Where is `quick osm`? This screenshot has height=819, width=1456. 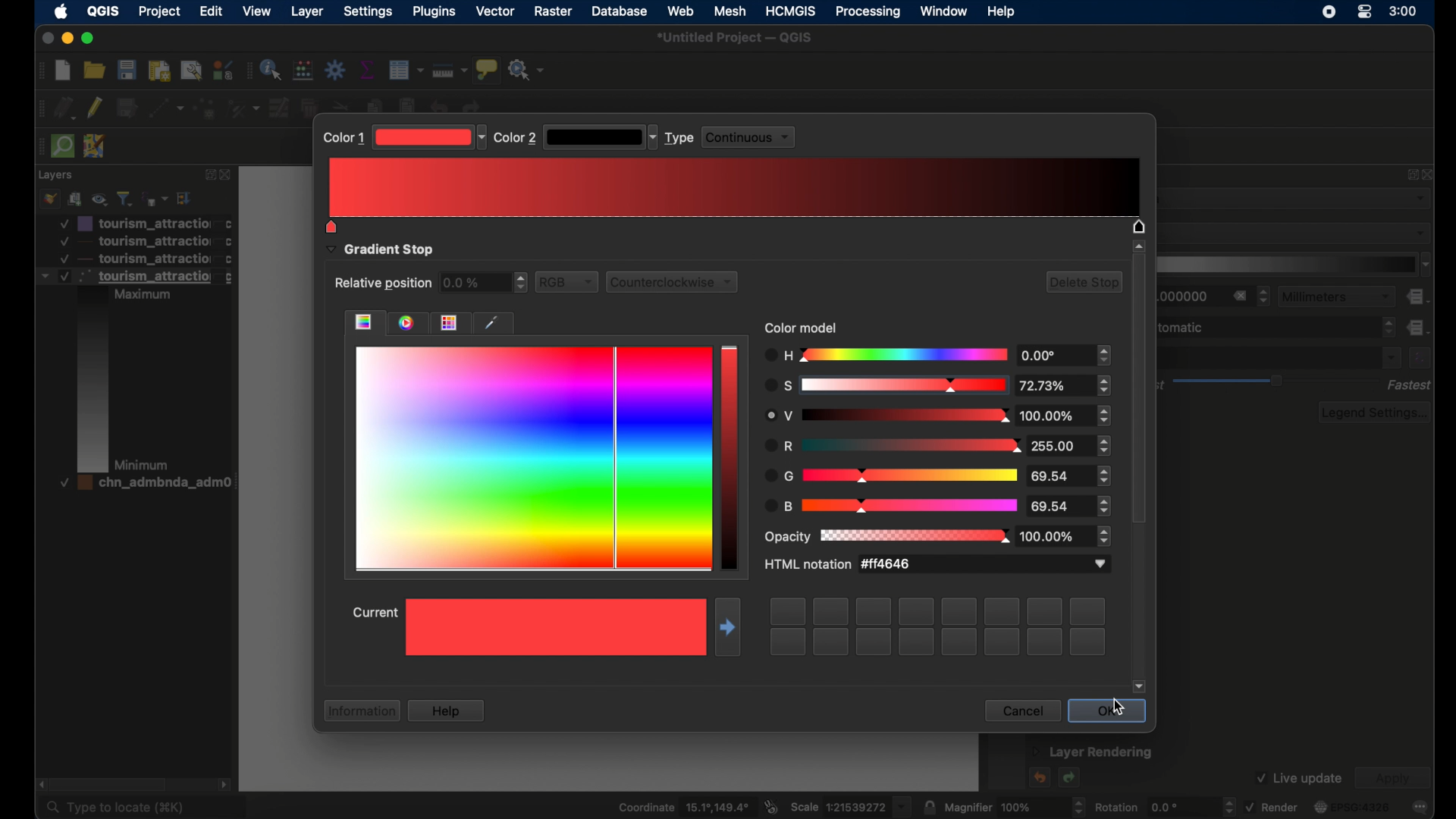 quick osm is located at coordinates (61, 146).